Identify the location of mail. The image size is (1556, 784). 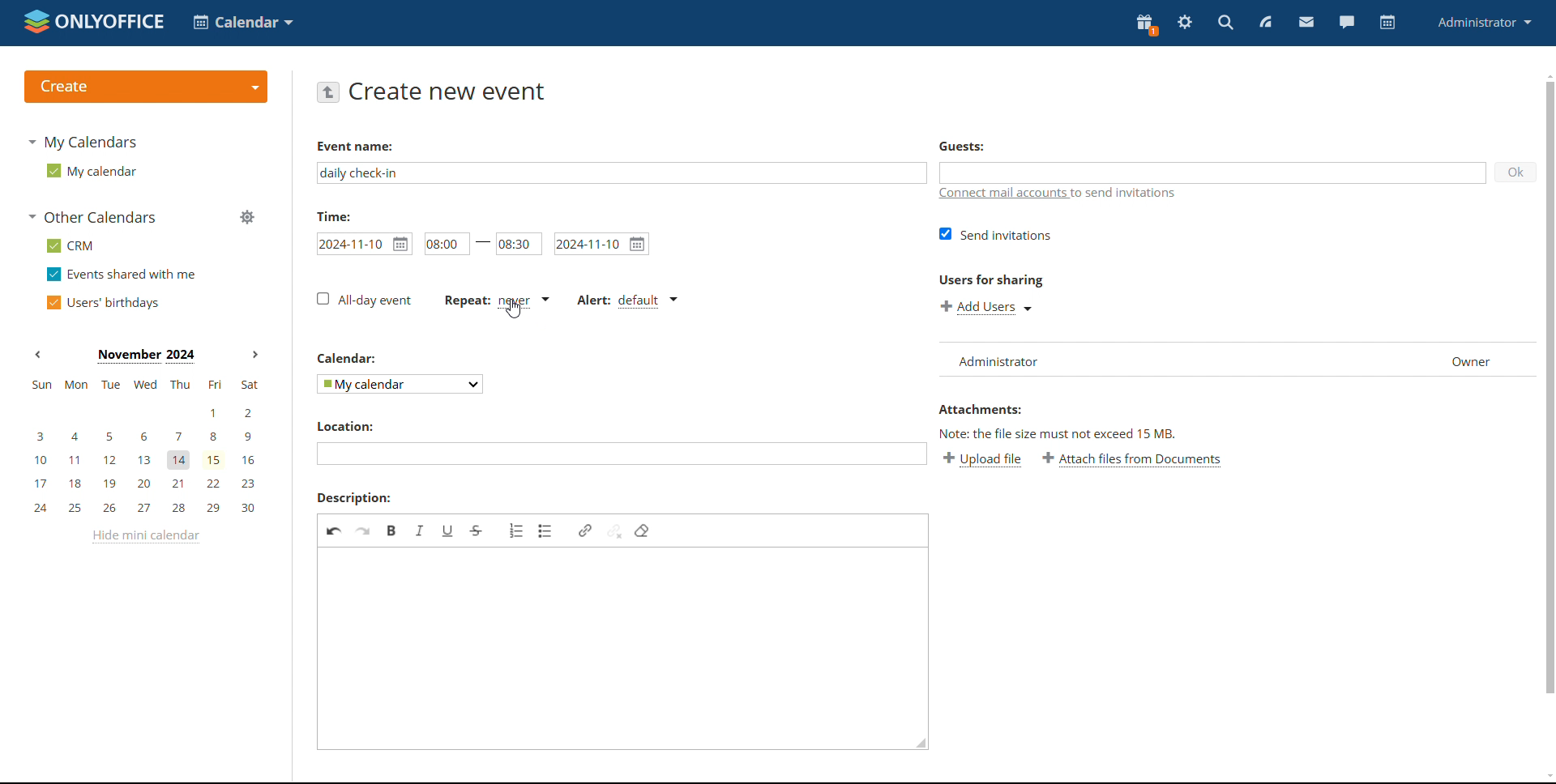
(1307, 23).